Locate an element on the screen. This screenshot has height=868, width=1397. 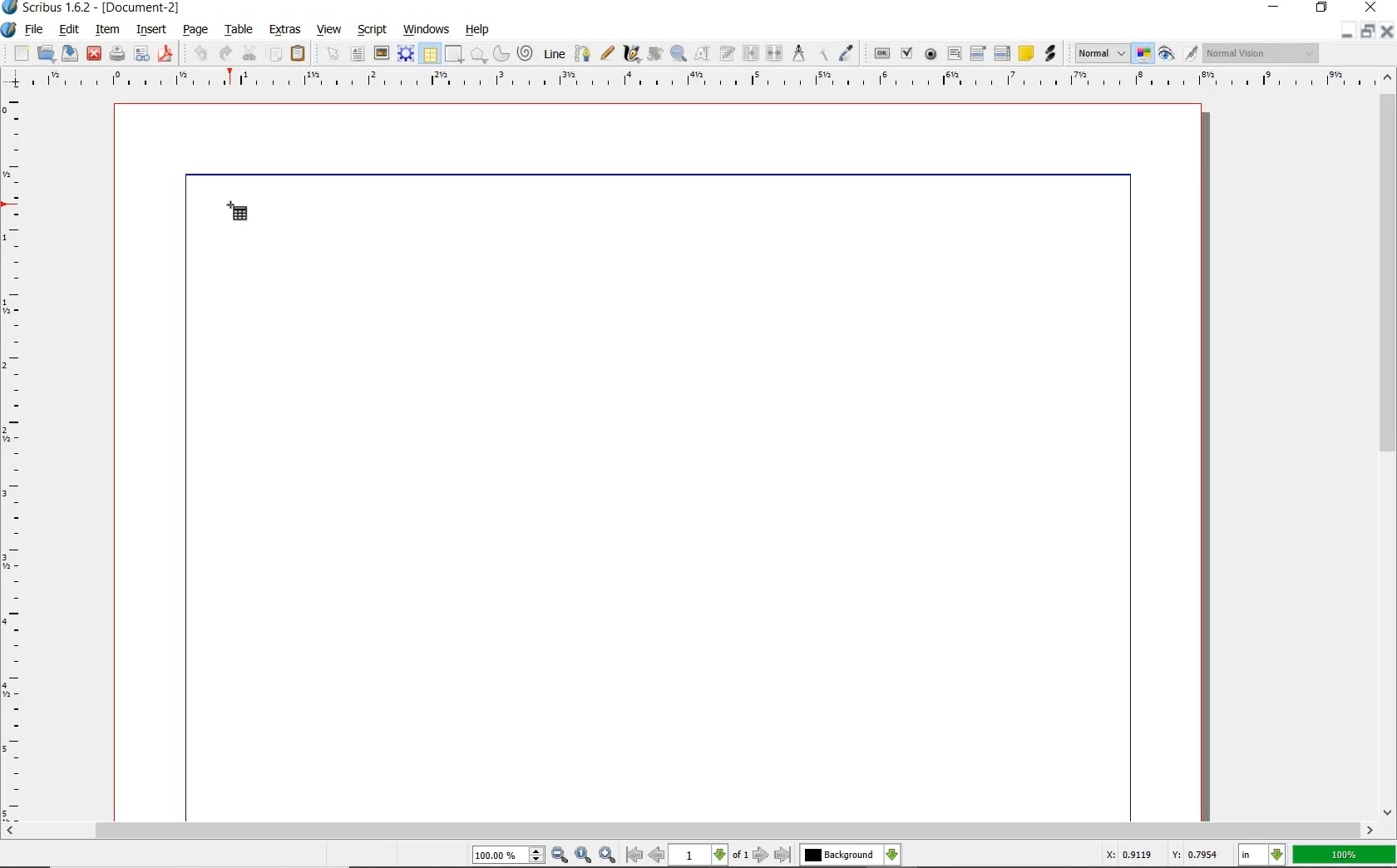
windows is located at coordinates (428, 31).